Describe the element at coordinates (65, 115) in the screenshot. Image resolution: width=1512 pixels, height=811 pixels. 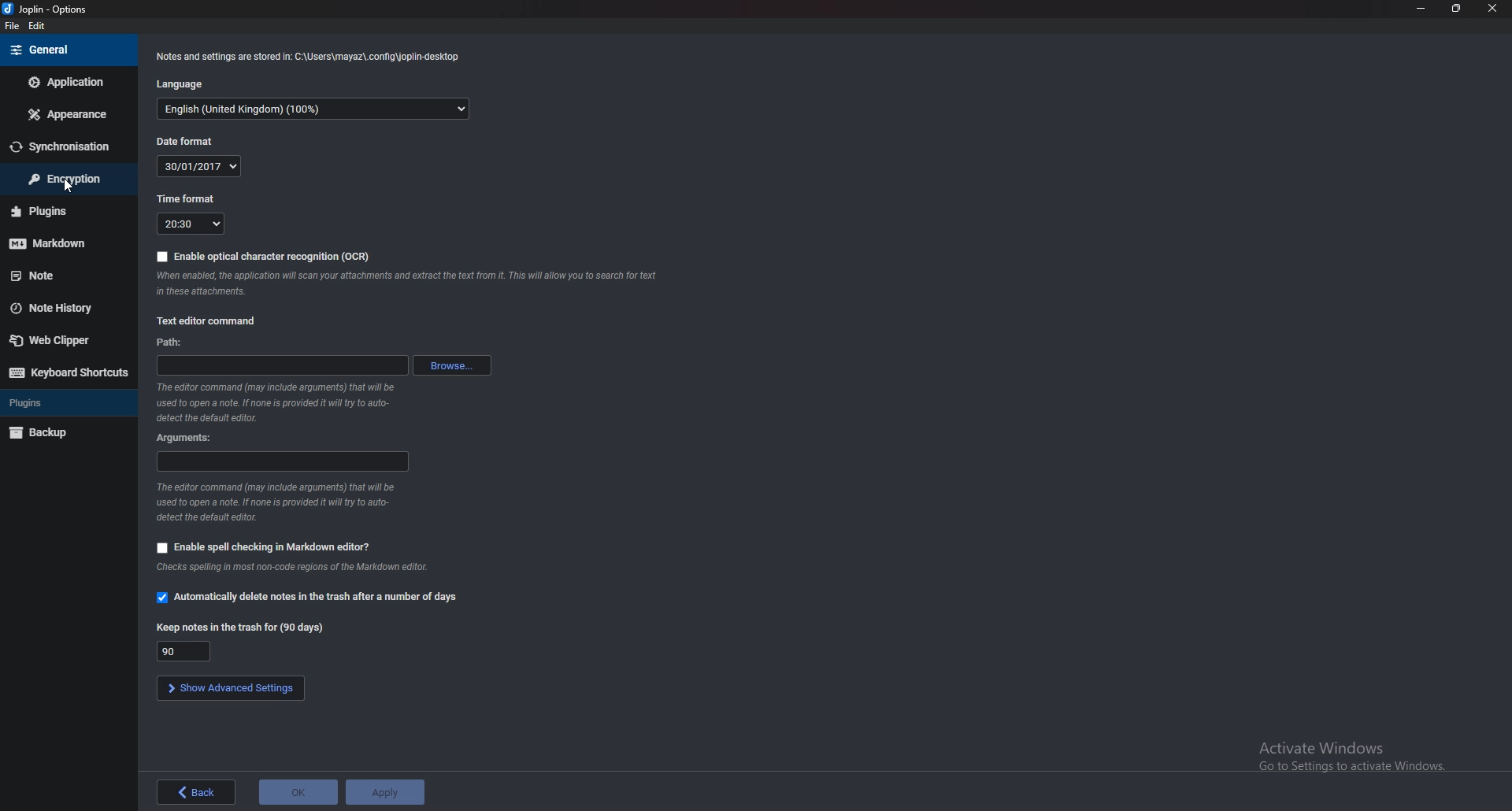
I see `appearance` at that location.